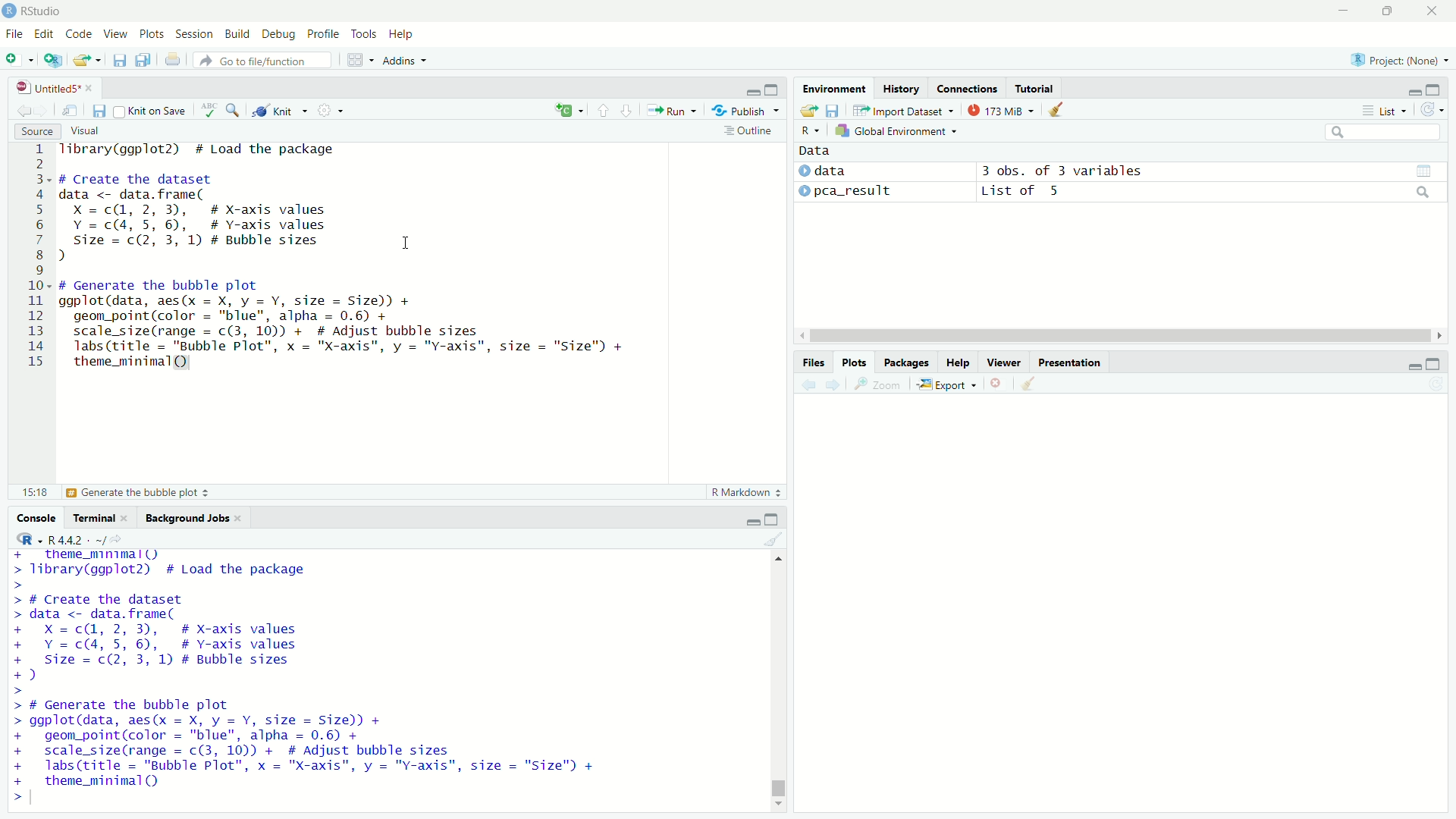 This screenshot has height=819, width=1456. I want to click on find and replace, so click(234, 108).